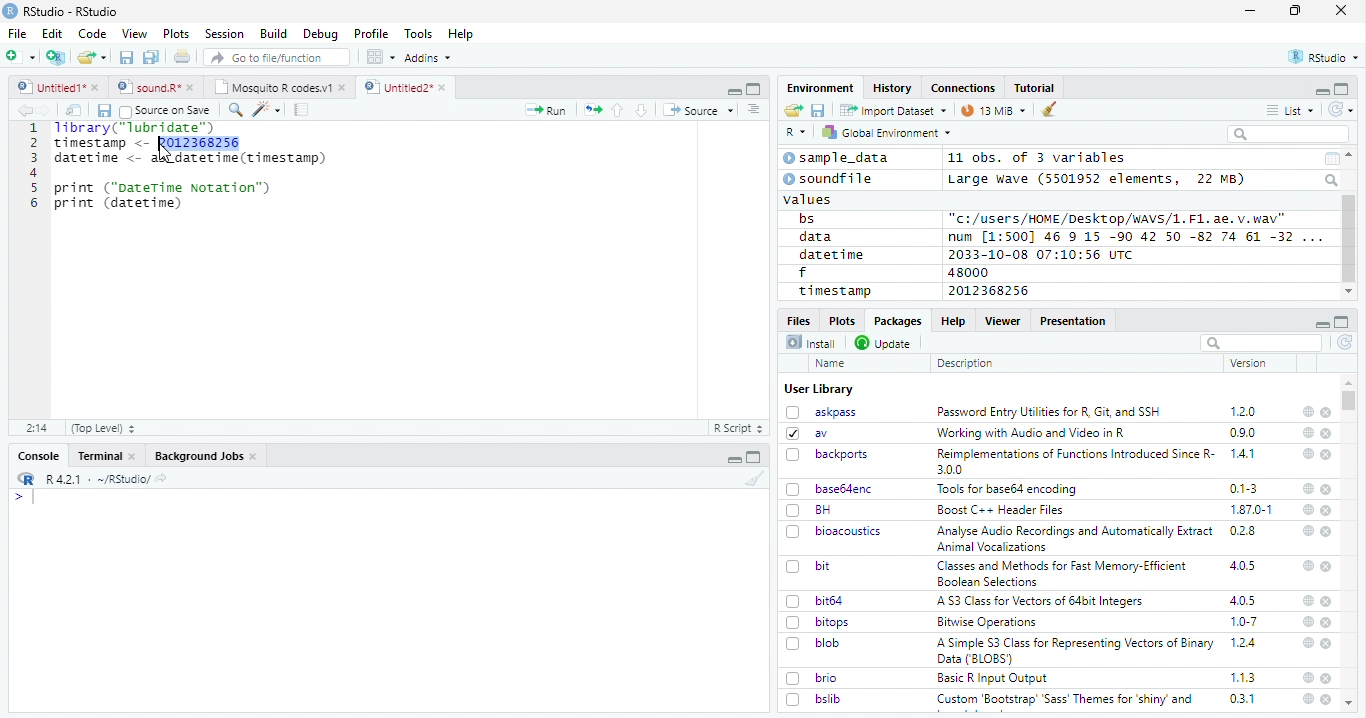 This screenshot has width=1366, height=718. I want to click on Search, so click(1333, 180).